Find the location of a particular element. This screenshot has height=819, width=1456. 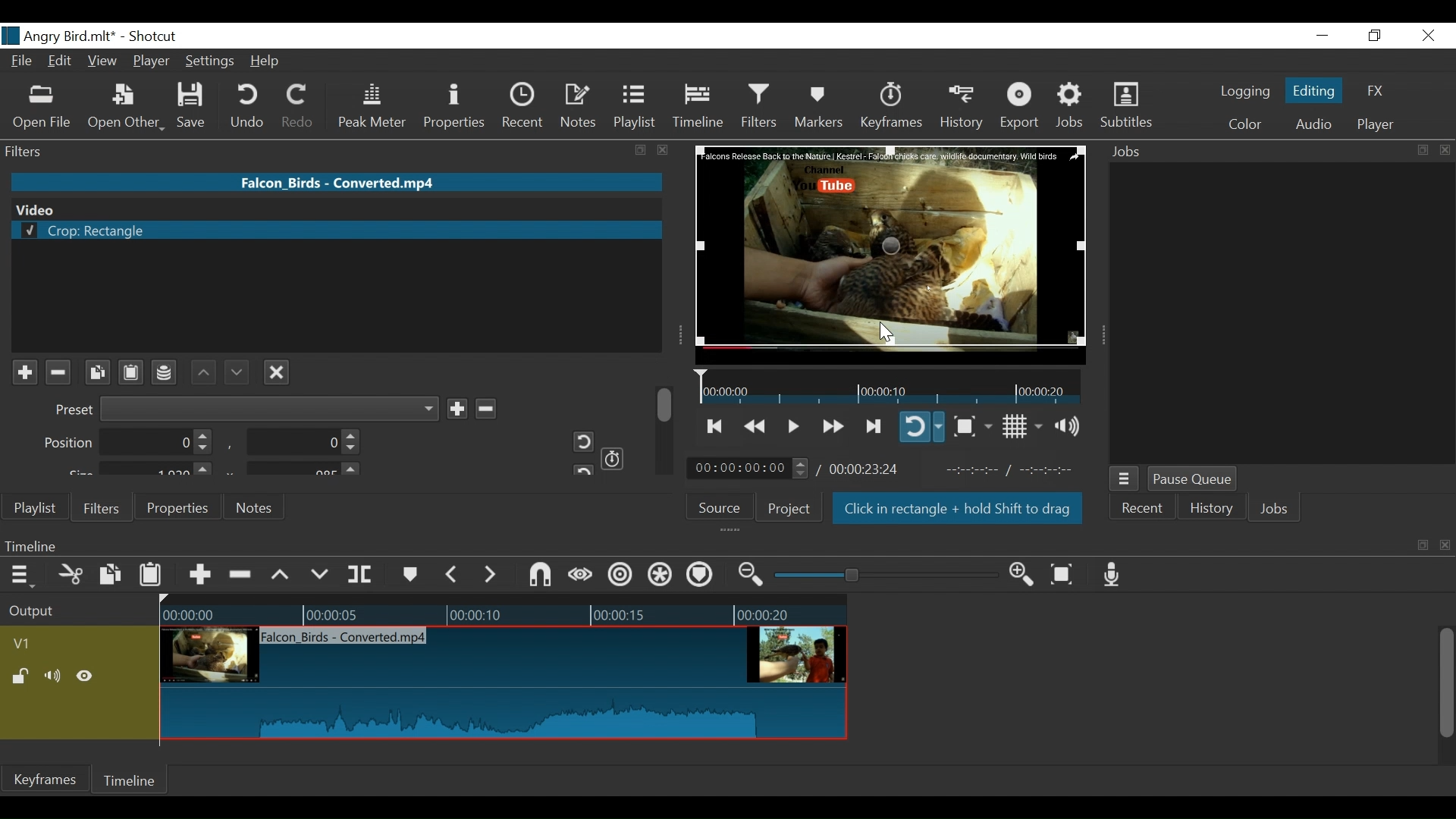

click in rectangle + hold shift to drag is located at coordinates (959, 510).